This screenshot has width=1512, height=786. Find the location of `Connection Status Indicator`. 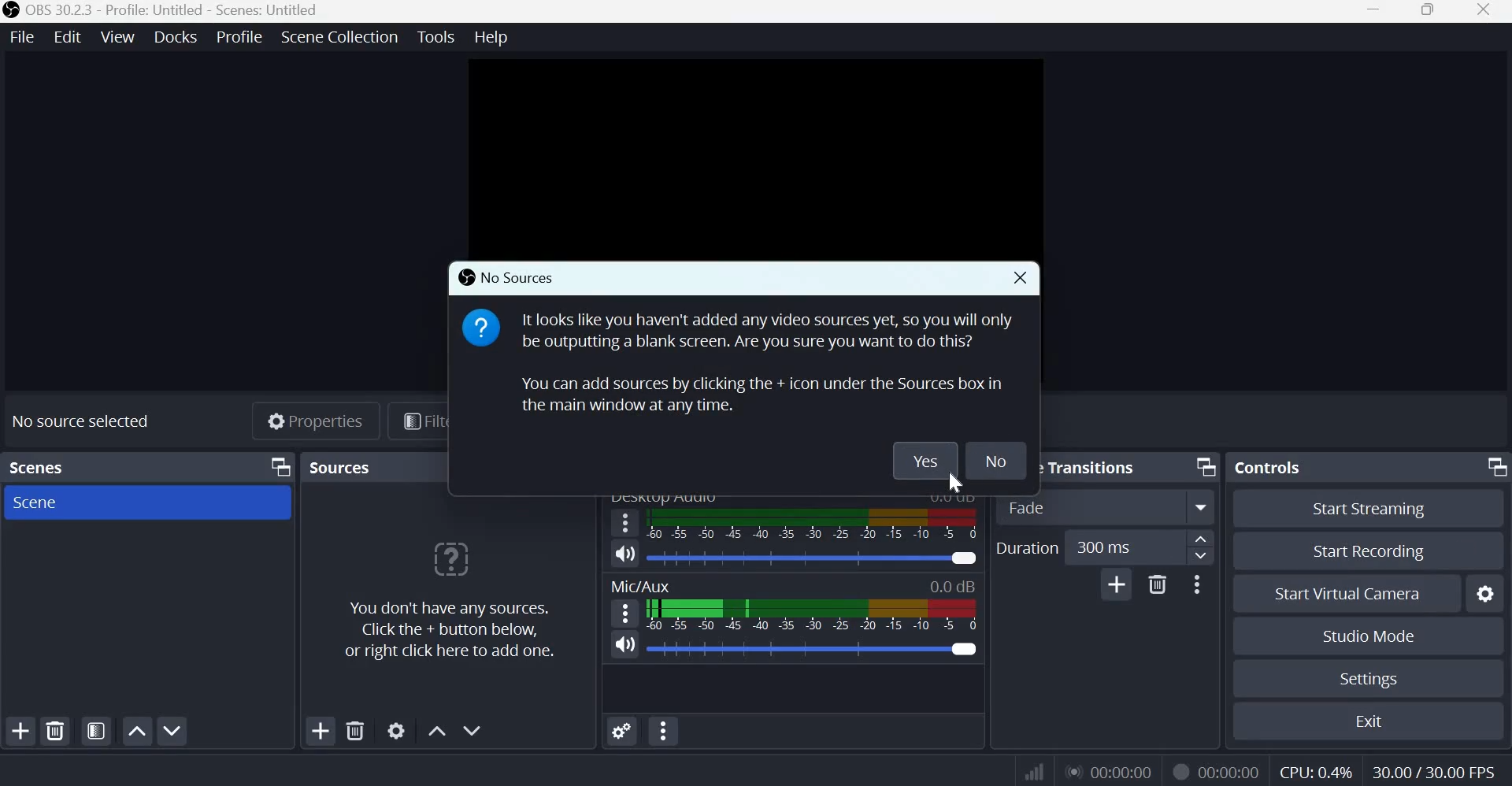

Connection Status Indicator is located at coordinates (1036, 769).